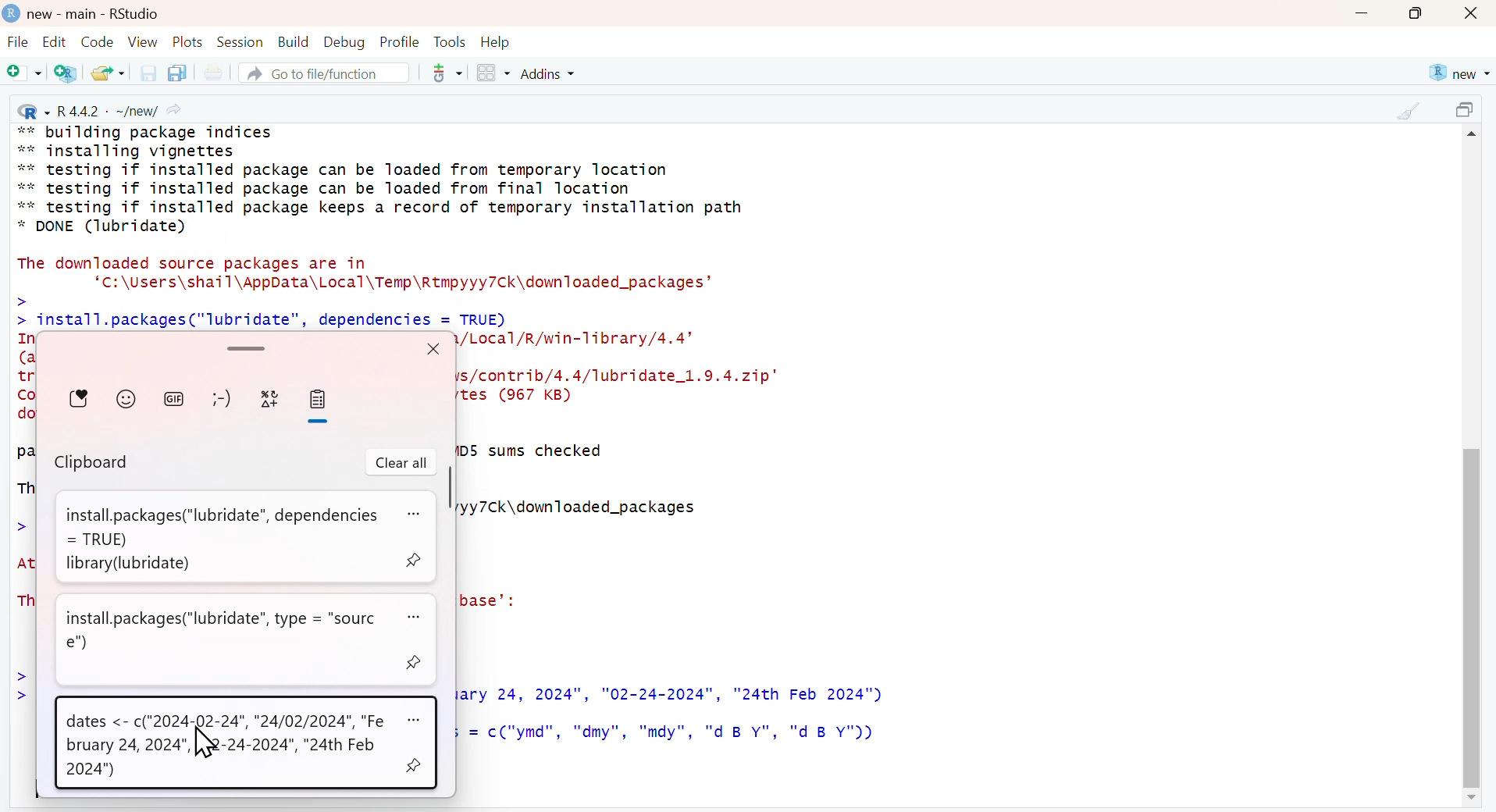 Image resolution: width=1496 pixels, height=812 pixels. I want to click on more options, so click(416, 719).